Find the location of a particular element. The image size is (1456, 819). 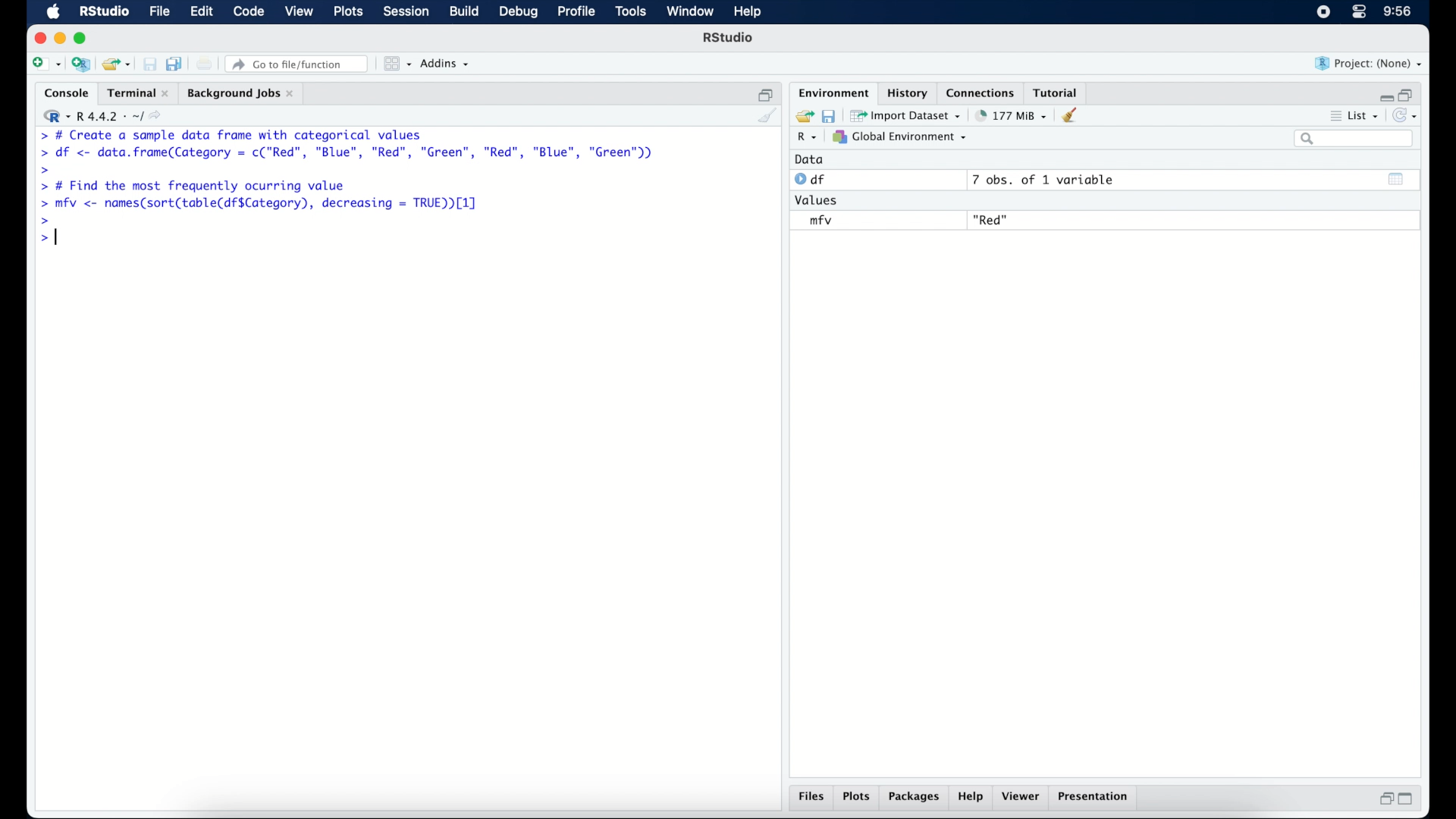

R 4.4.2 is located at coordinates (102, 114).